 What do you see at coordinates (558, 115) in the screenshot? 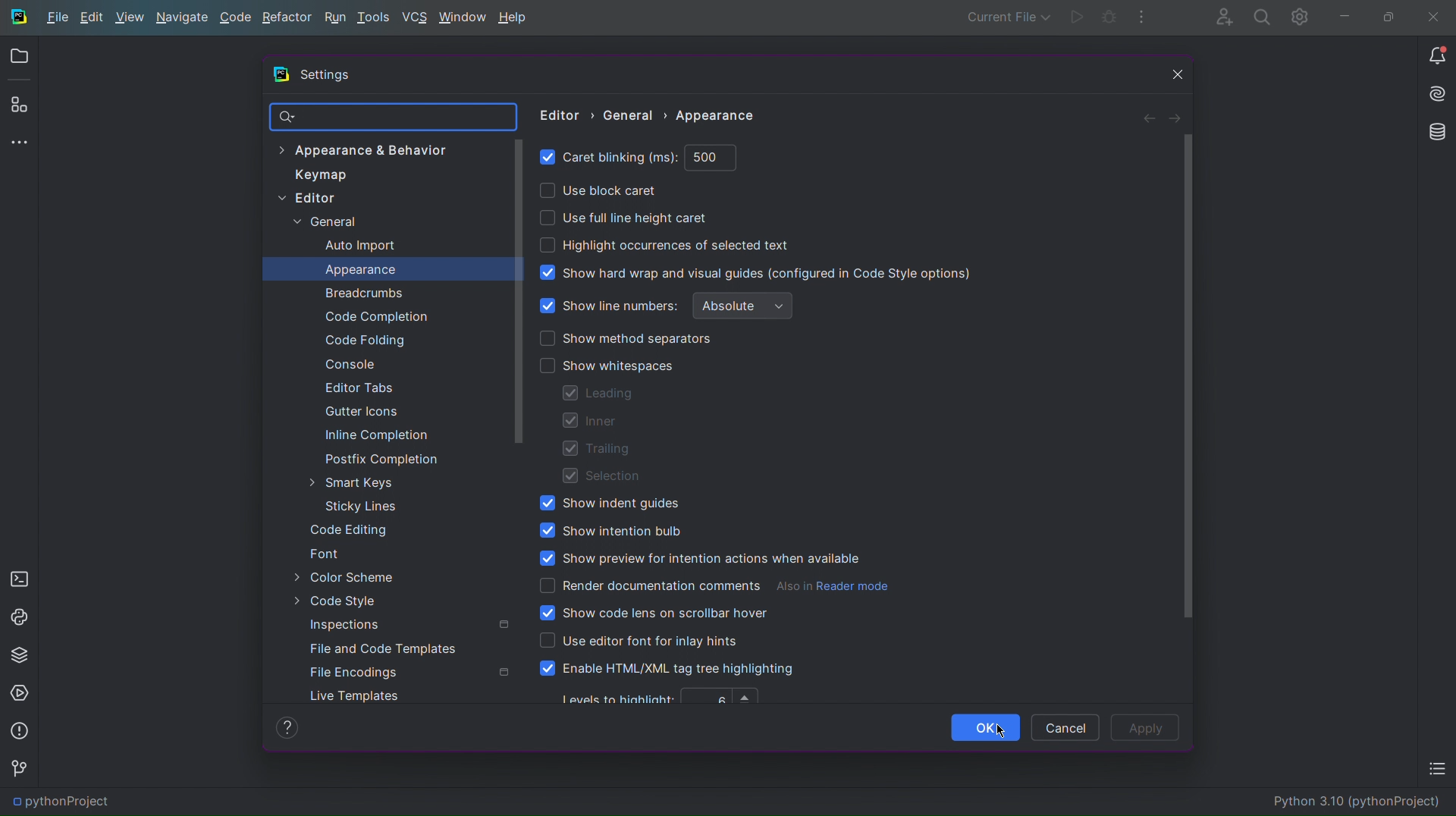
I see `Editor` at bounding box center [558, 115].